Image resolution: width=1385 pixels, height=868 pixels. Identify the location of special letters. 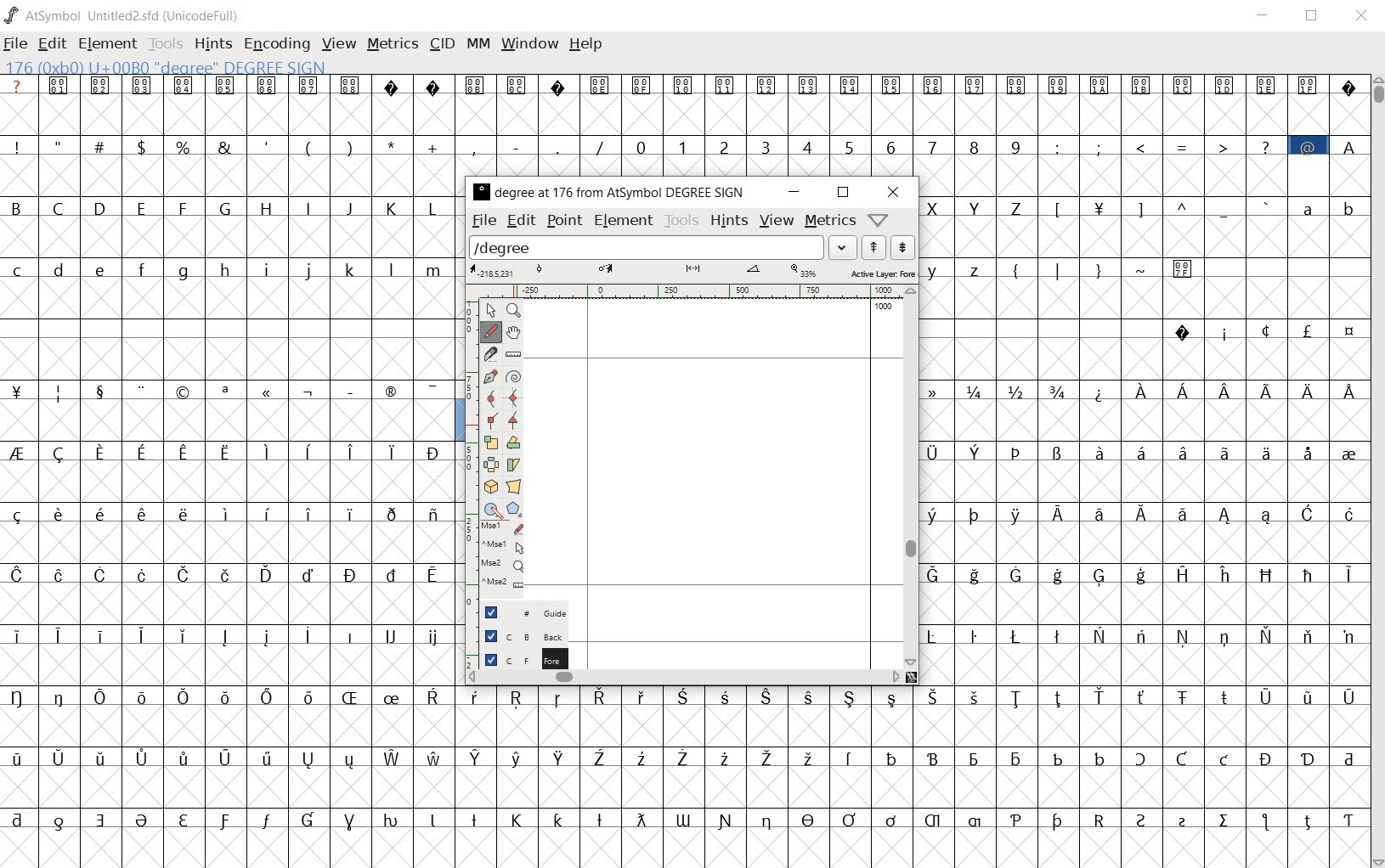
(232, 449).